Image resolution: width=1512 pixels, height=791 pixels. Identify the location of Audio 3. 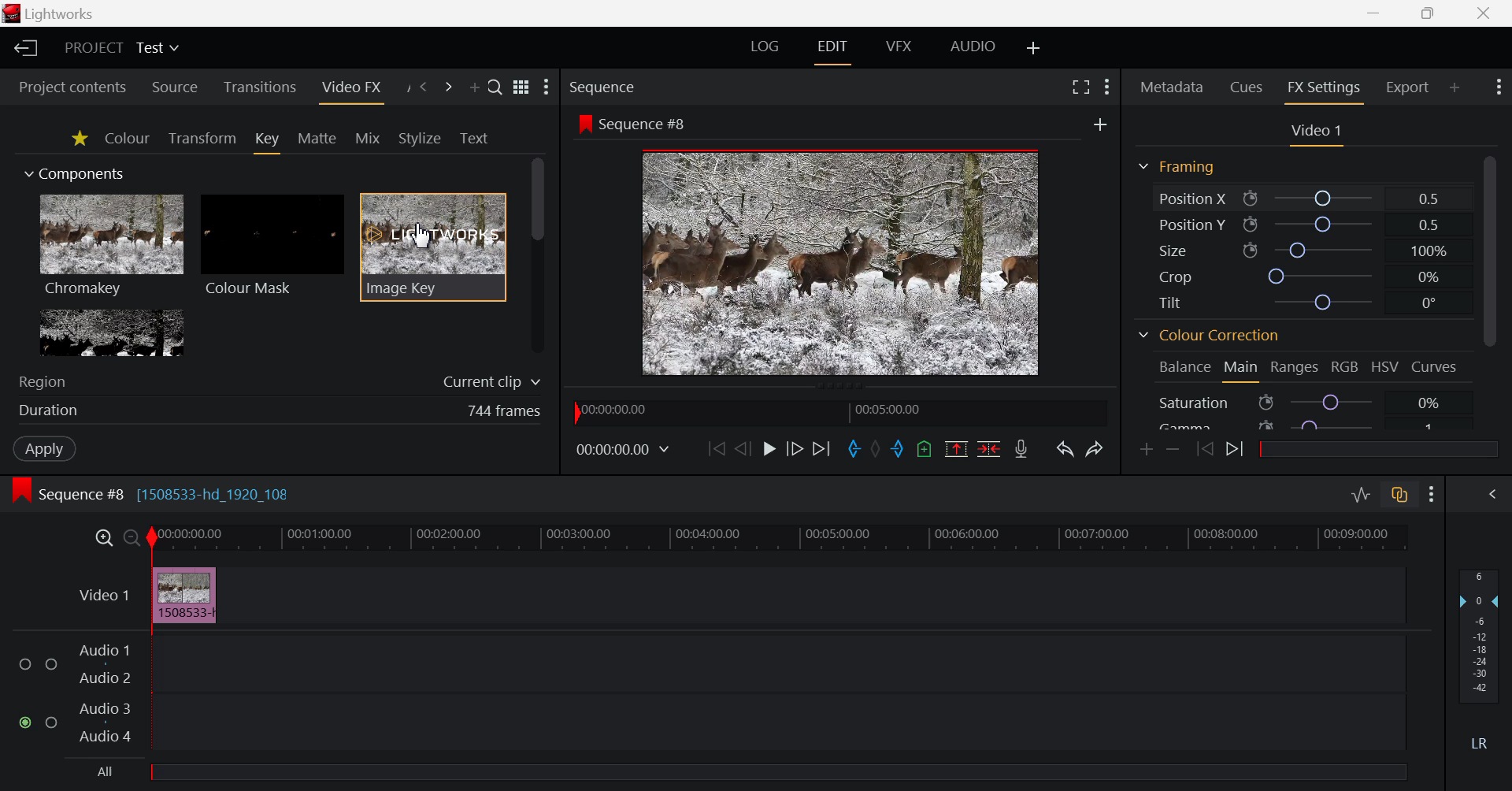
(106, 709).